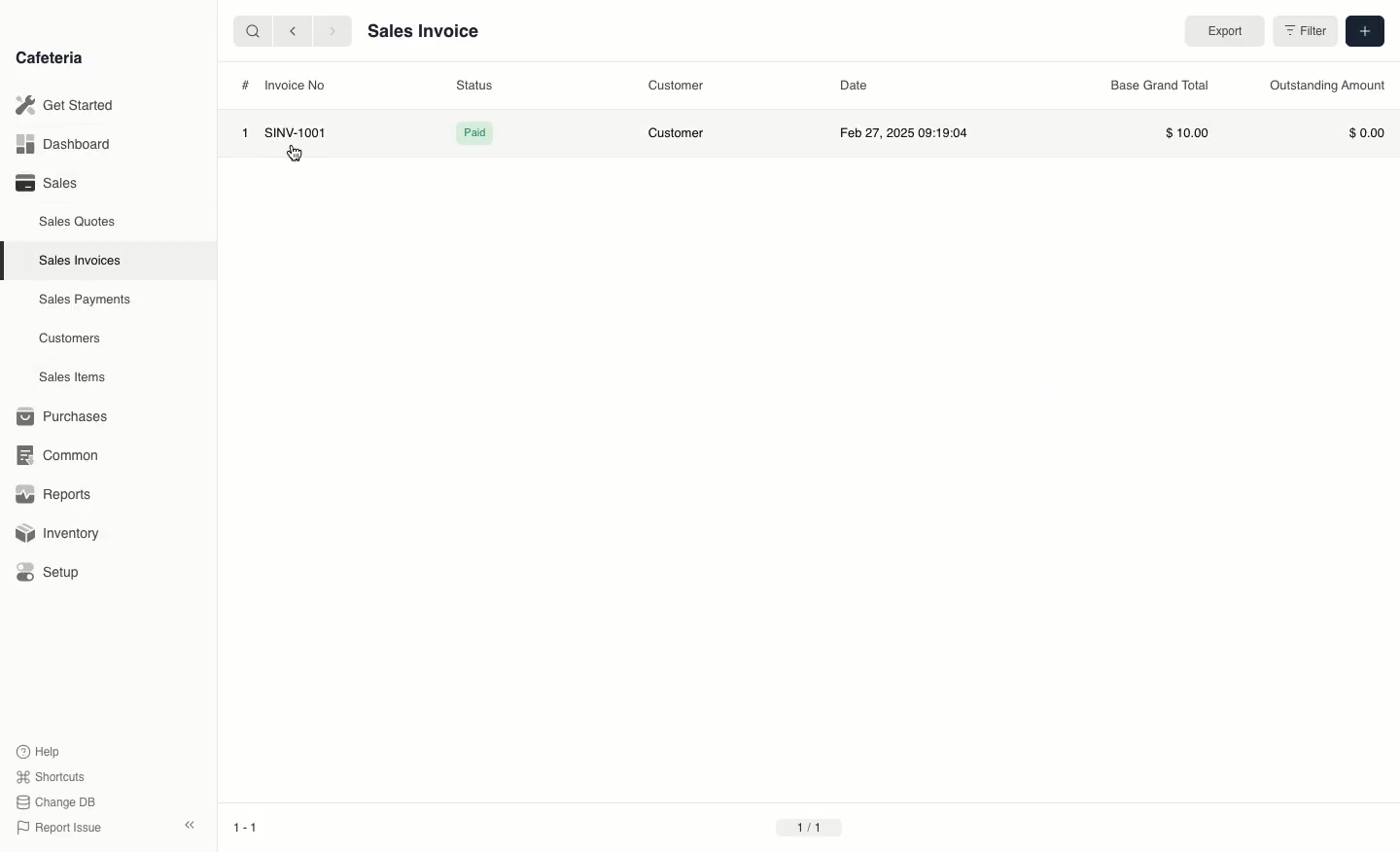 The width and height of the screenshot is (1400, 852). What do you see at coordinates (294, 158) in the screenshot?
I see `cursor` at bounding box center [294, 158].